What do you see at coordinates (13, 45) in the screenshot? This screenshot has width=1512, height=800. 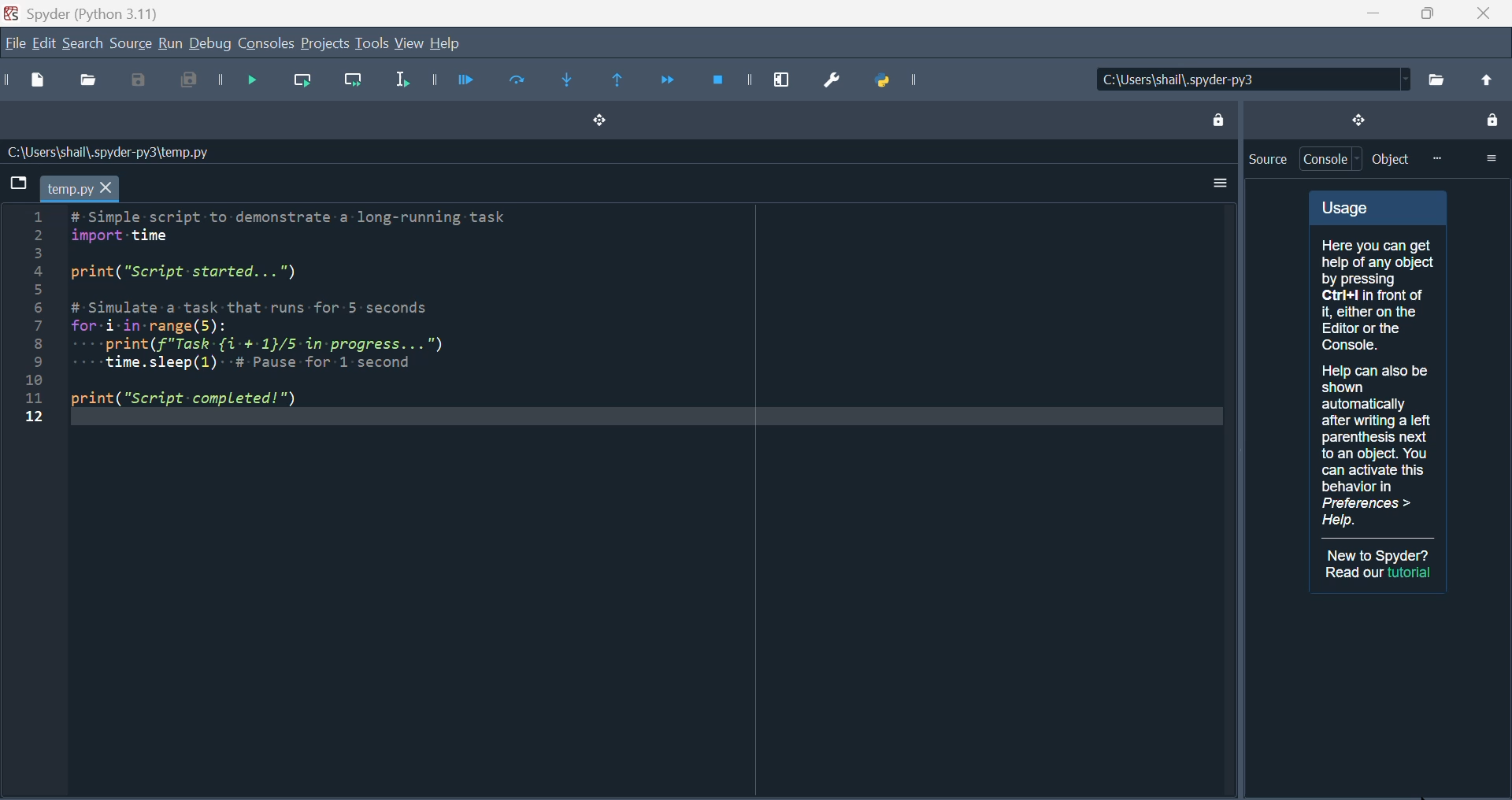 I see `File` at bounding box center [13, 45].